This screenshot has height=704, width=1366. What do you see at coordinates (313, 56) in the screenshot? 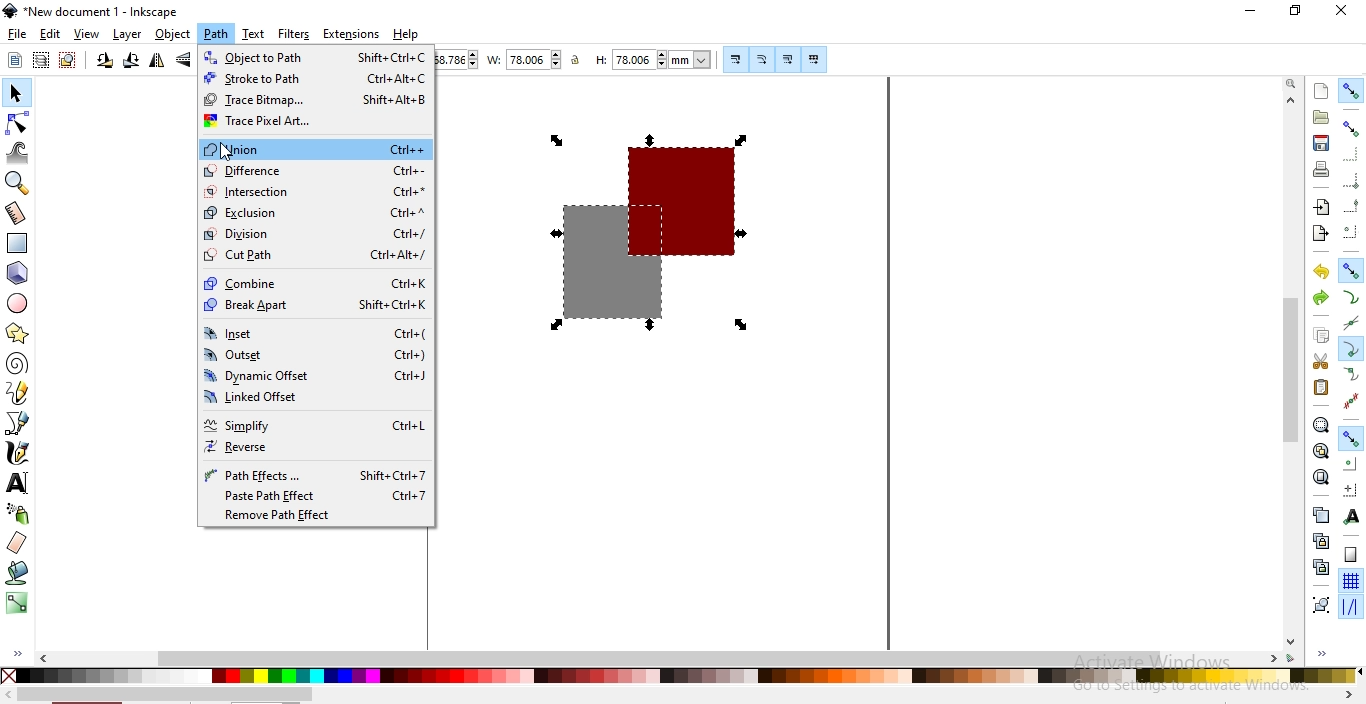
I see `object to path` at bounding box center [313, 56].